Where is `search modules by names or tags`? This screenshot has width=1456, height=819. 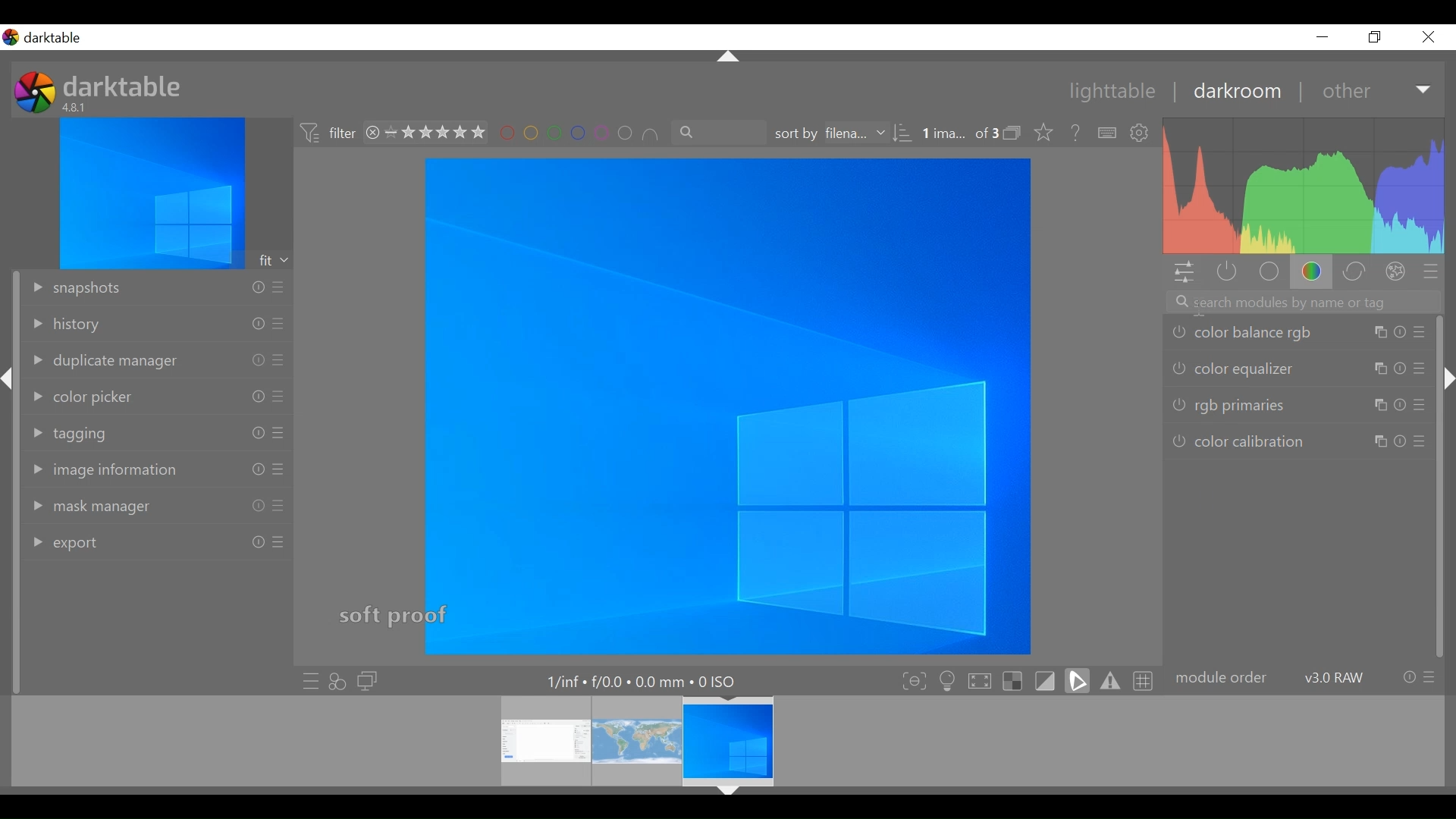 search modules by names or tags is located at coordinates (1304, 302).